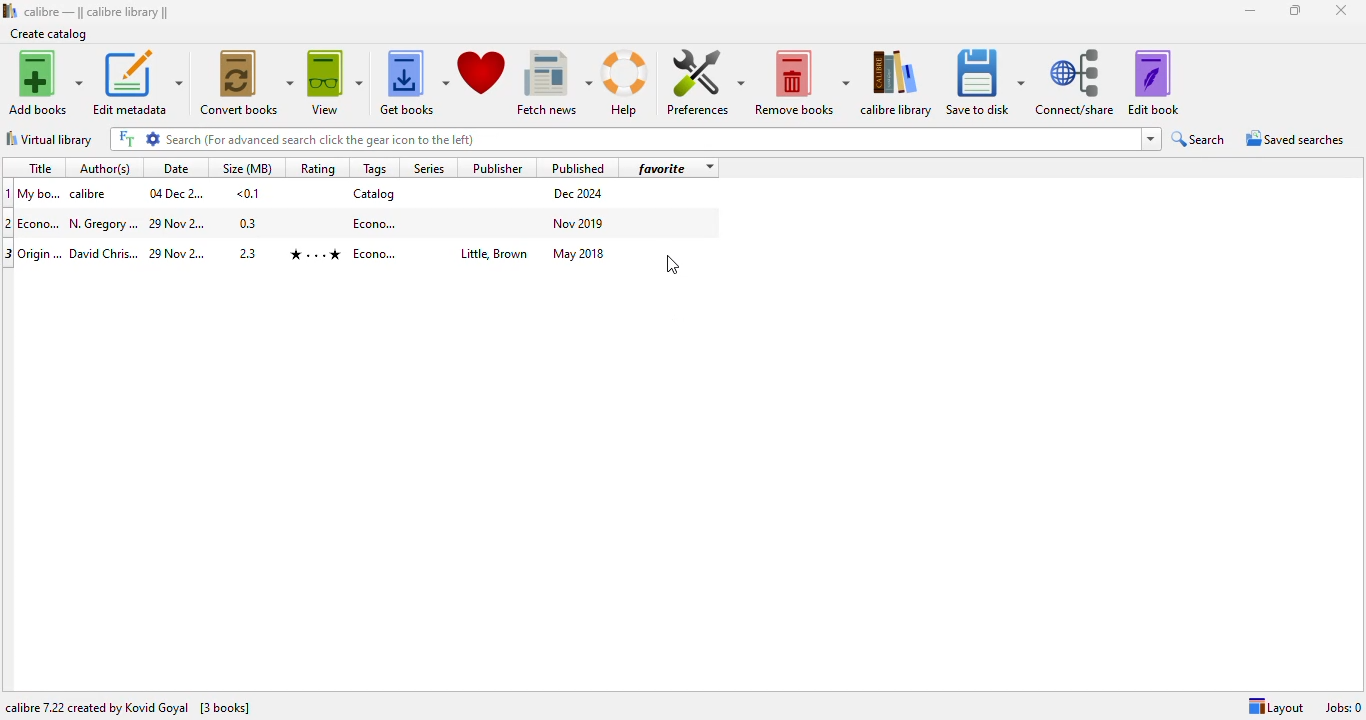  Describe the element at coordinates (49, 139) in the screenshot. I see `virtual library` at that location.